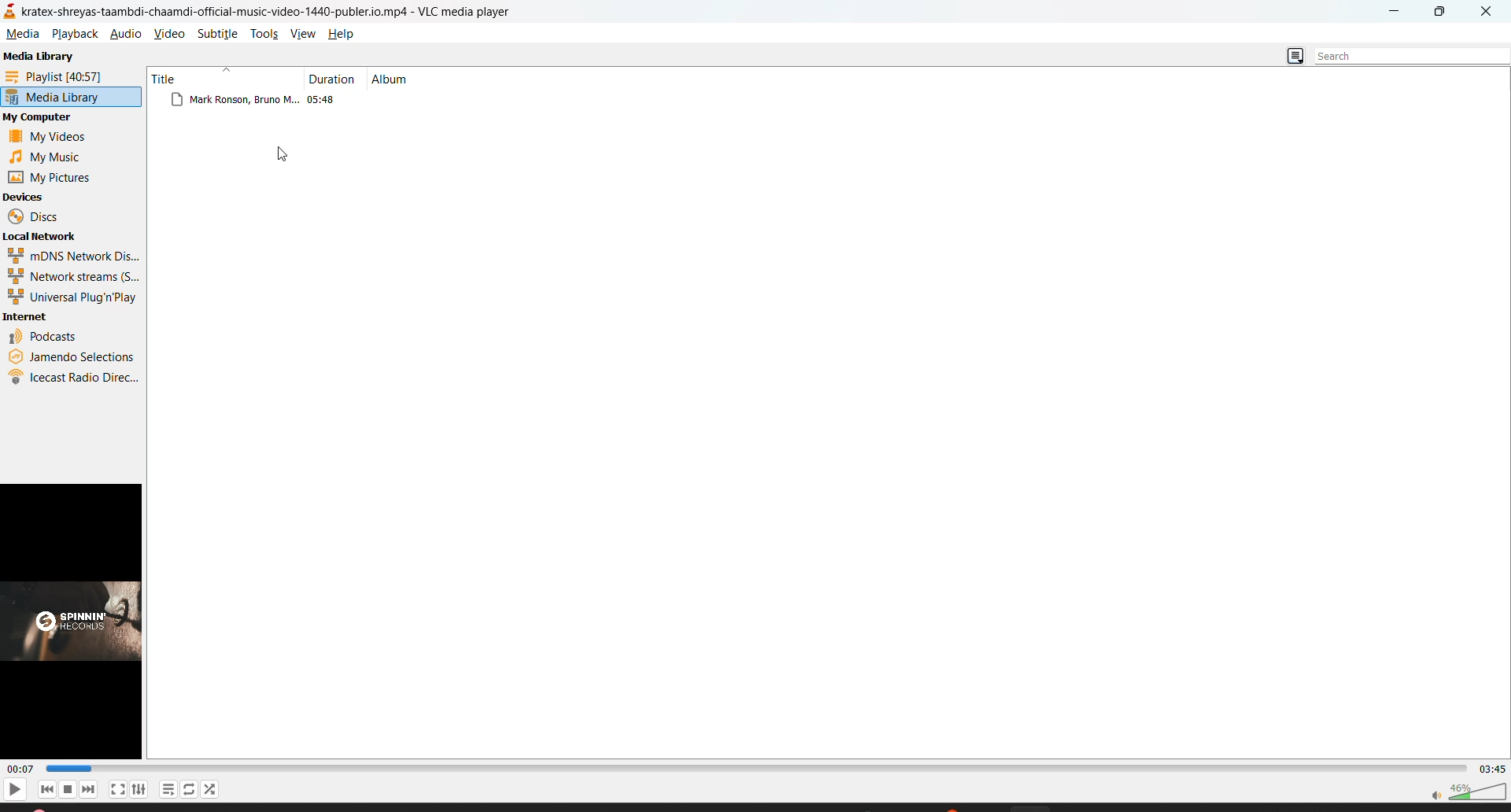 Image resolution: width=1511 pixels, height=812 pixels. I want to click on play, so click(11, 788).